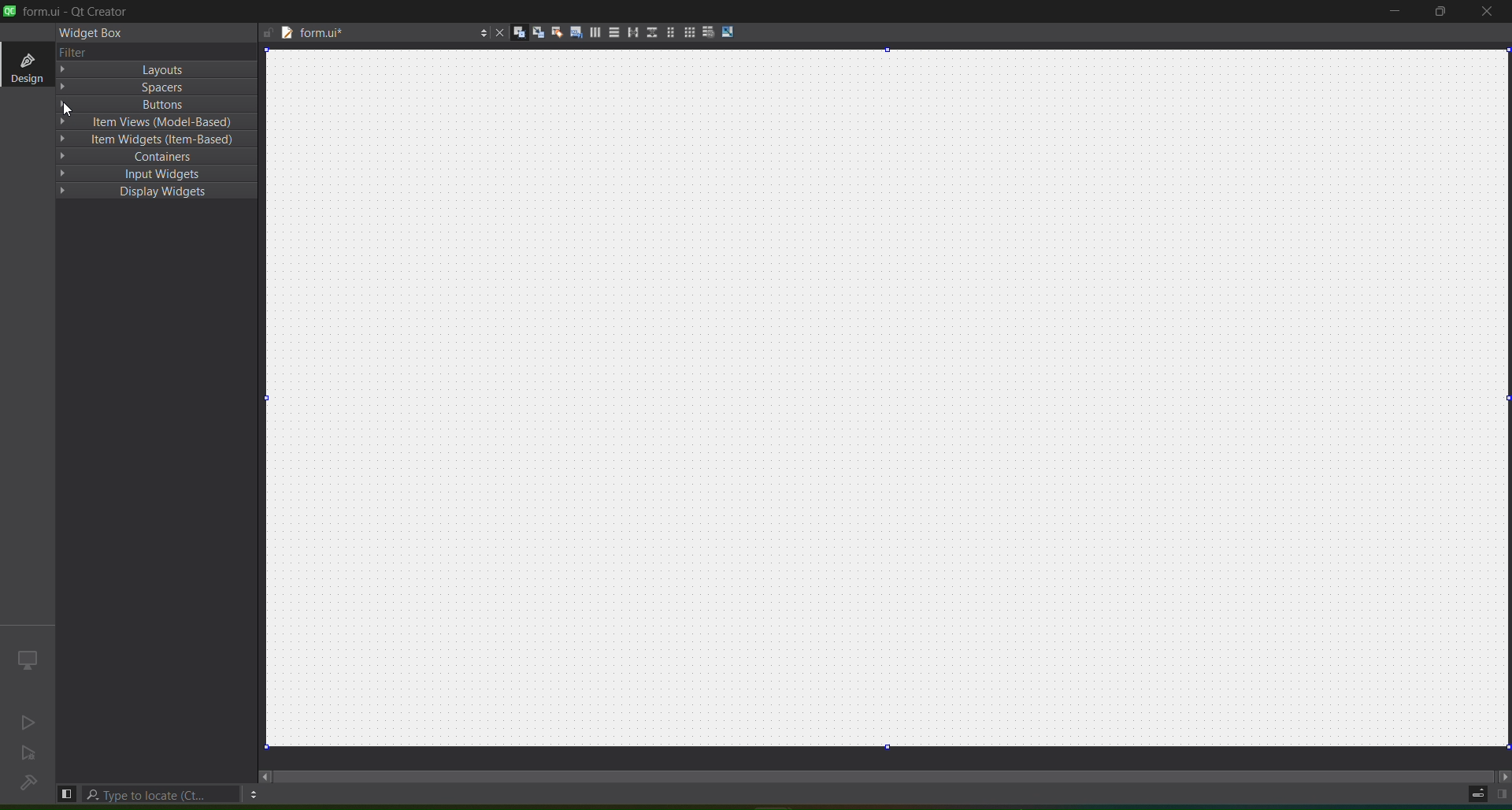  I want to click on layout horizontal splitter, so click(630, 32).